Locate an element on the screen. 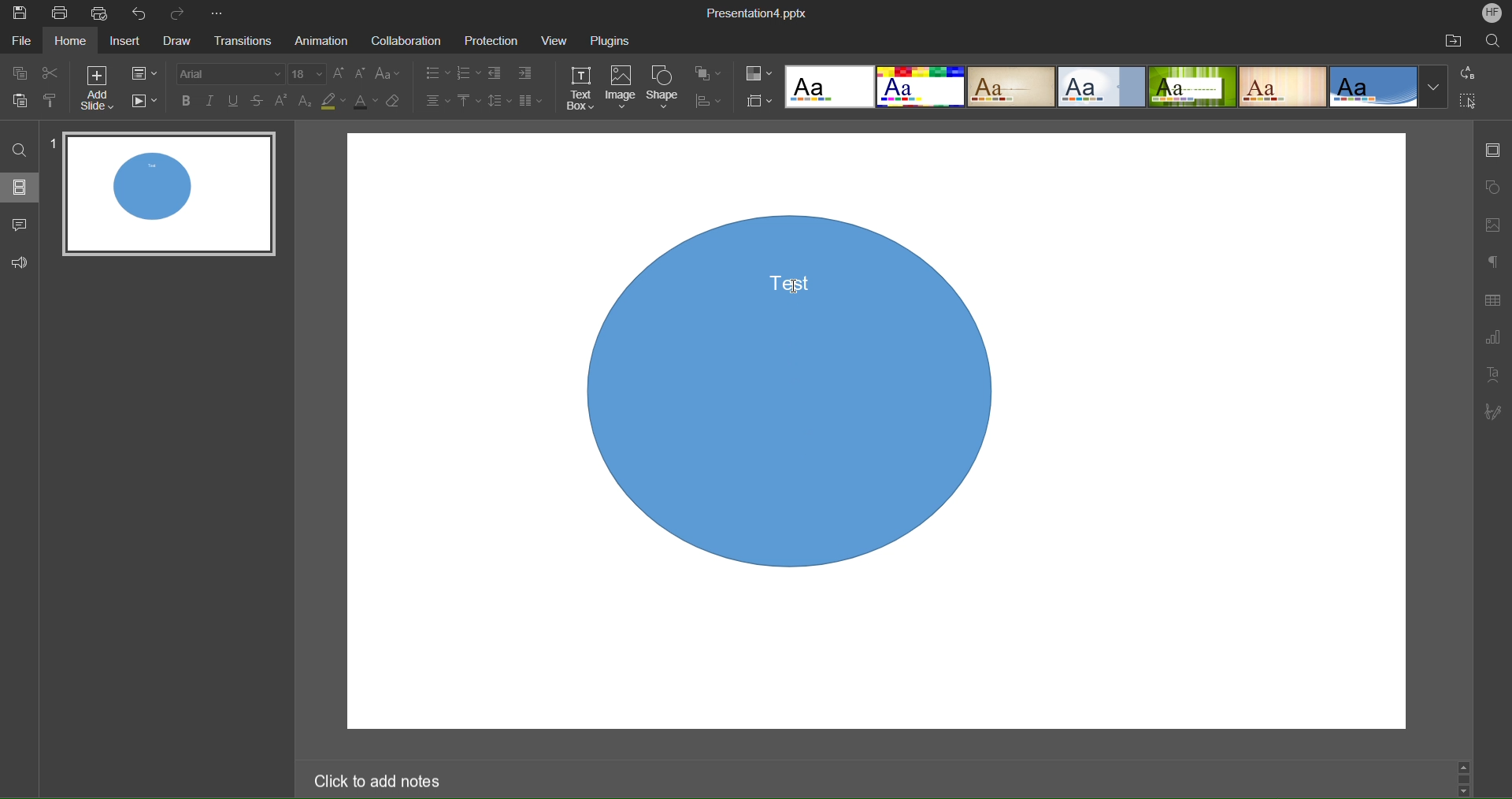  More is located at coordinates (223, 14).